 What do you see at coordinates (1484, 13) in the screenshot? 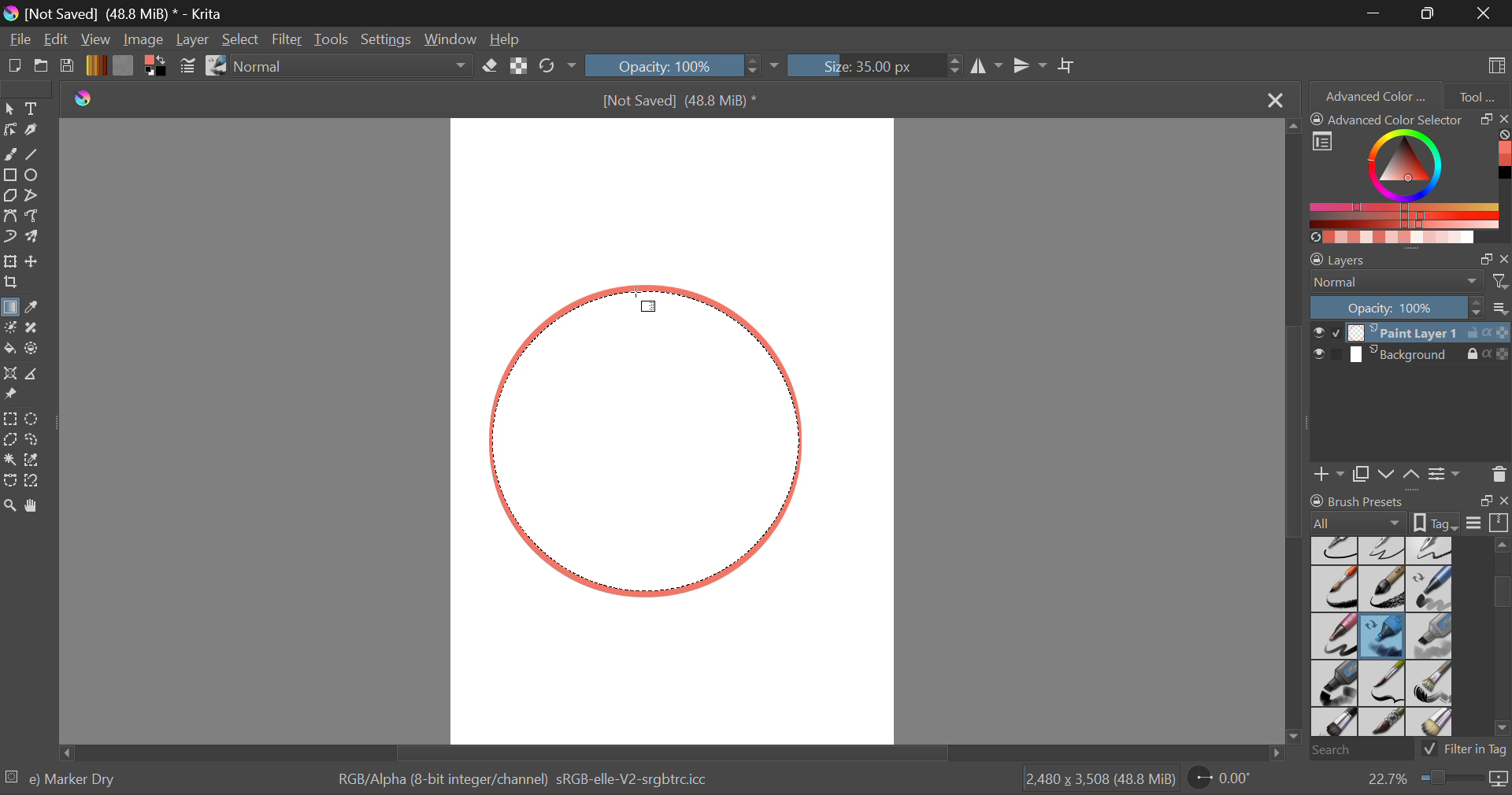
I see `Close` at bounding box center [1484, 13].